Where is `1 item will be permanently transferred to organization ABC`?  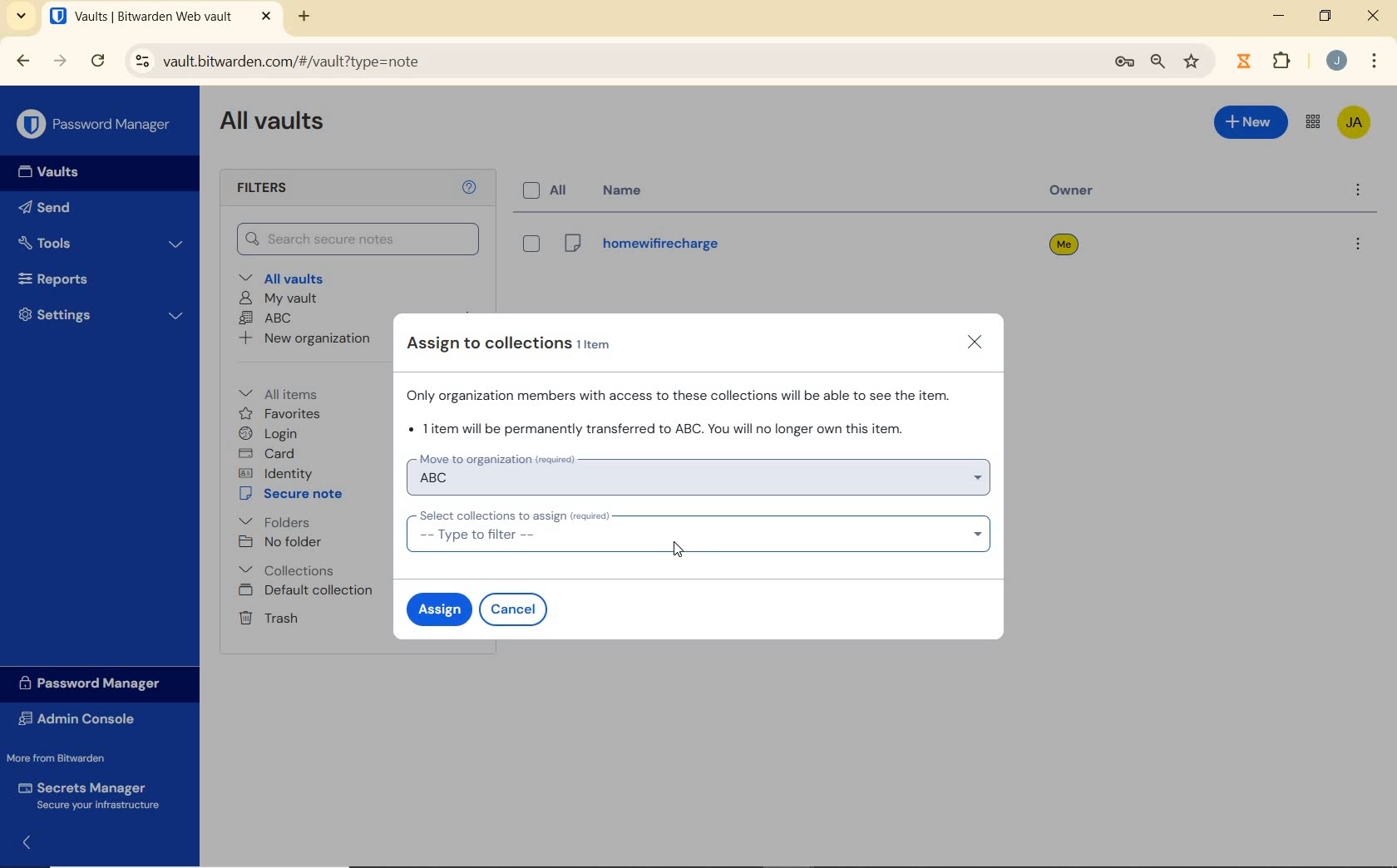
1 item will be permanently transferred to organization ABC is located at coordinates (661, 428).